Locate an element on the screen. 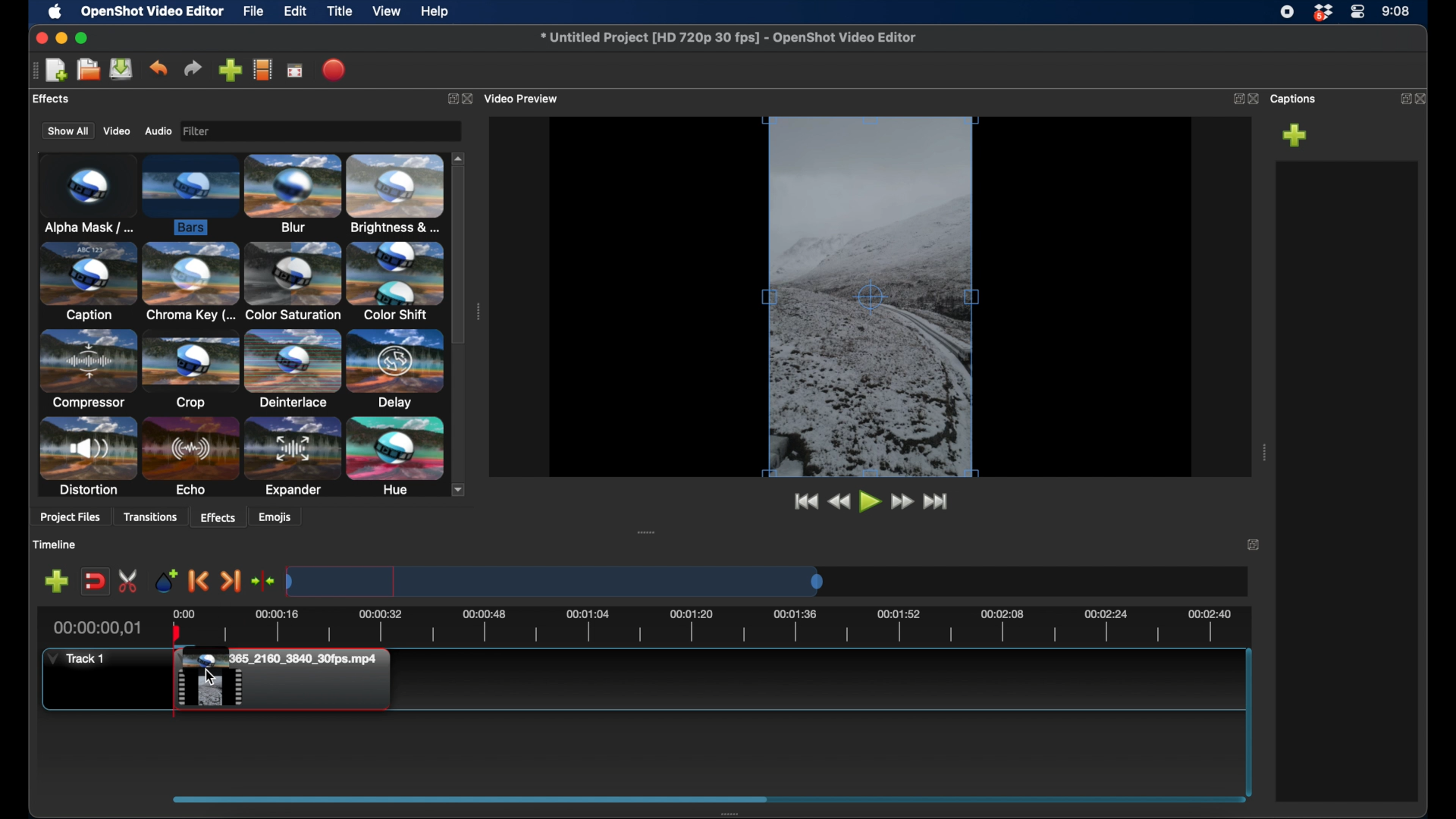 This screenshot has width=1456, height=819. compressor is located at coordinates (88, 370).